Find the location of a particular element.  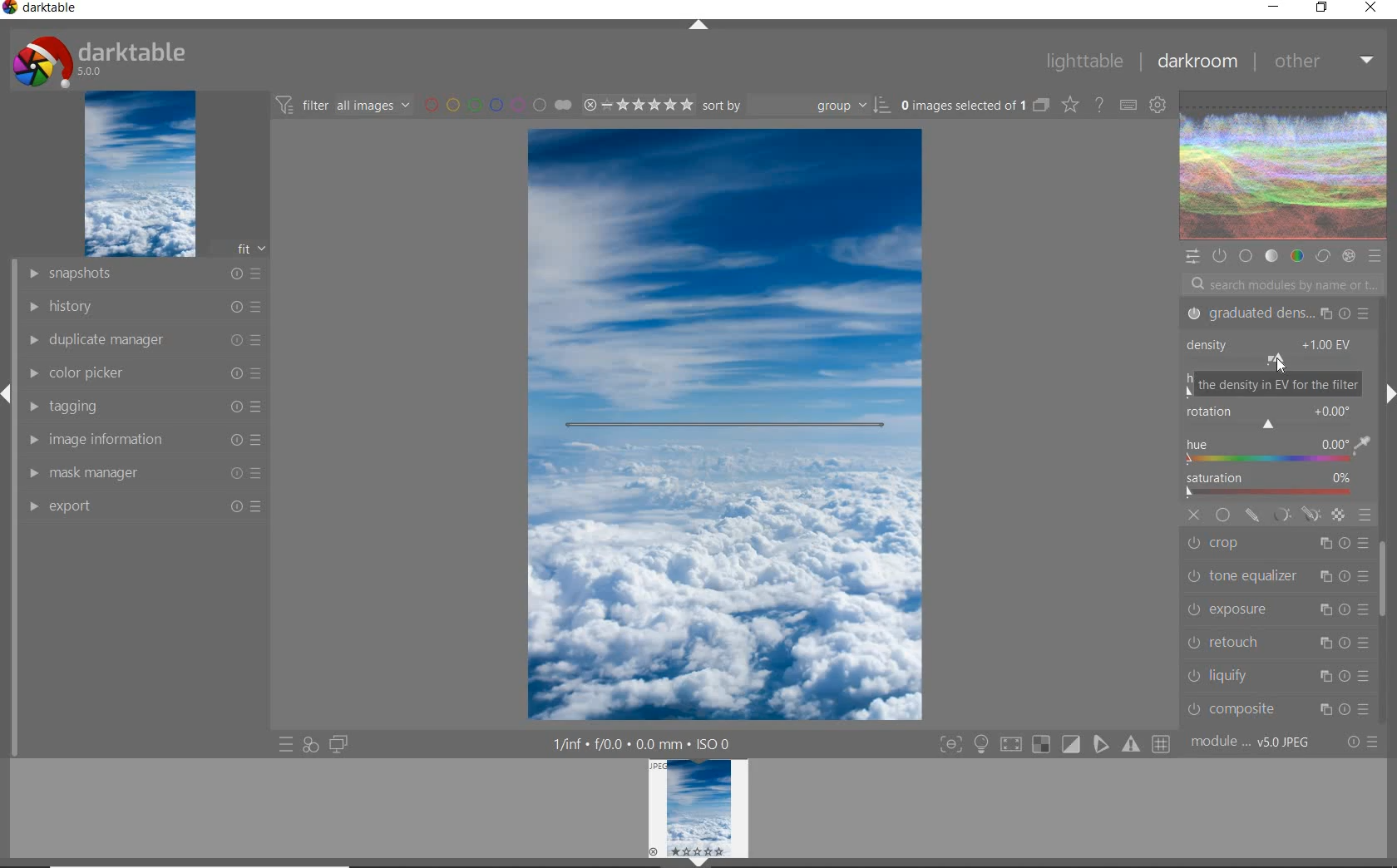

SHOW GLOBAL PREFERENCE is located at coordinates (1157, 106).